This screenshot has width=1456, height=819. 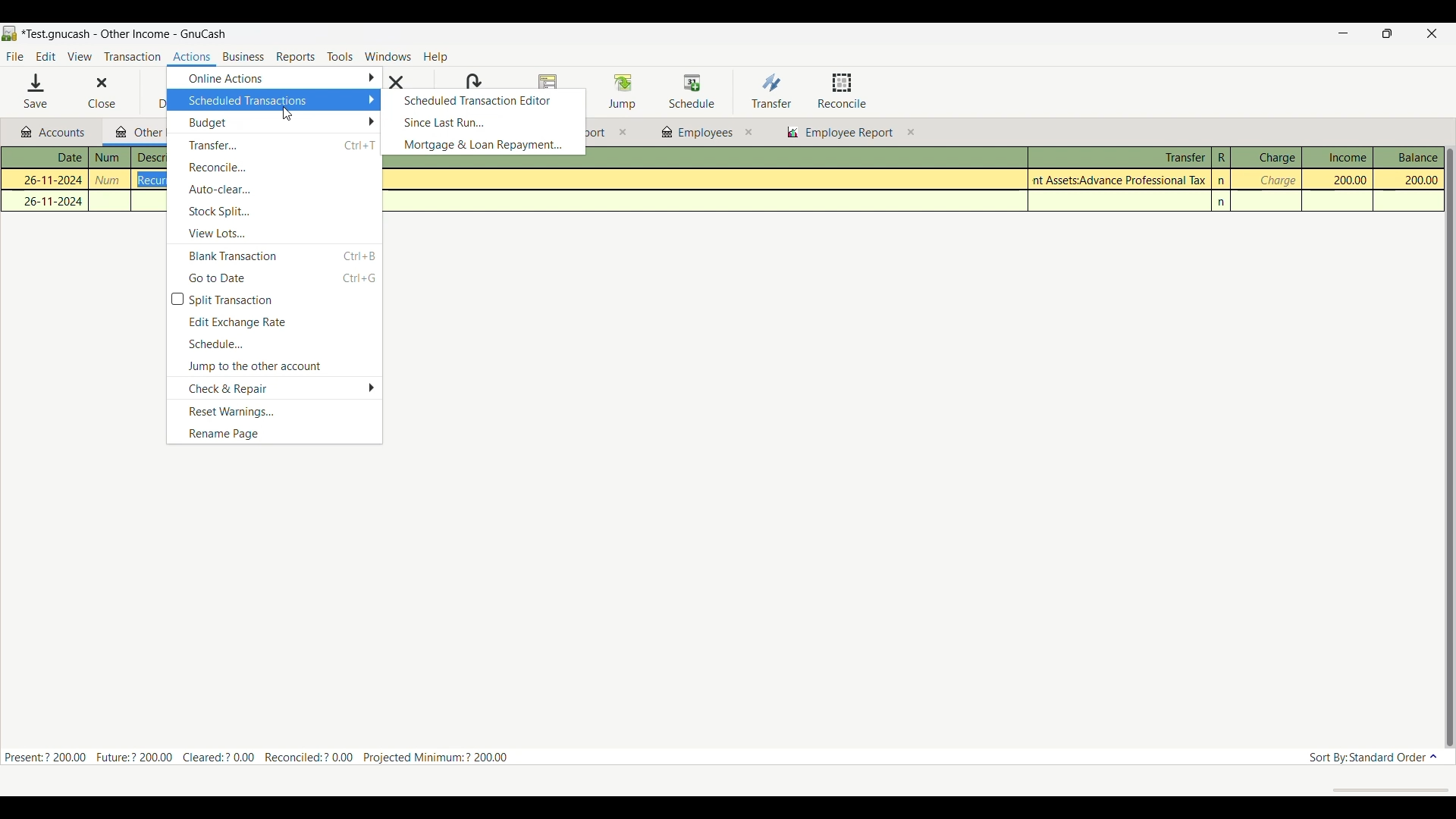 What do you see at coordinates (53, 158) in the screenshot?
I see `Date` at bounding box center [53, 158].